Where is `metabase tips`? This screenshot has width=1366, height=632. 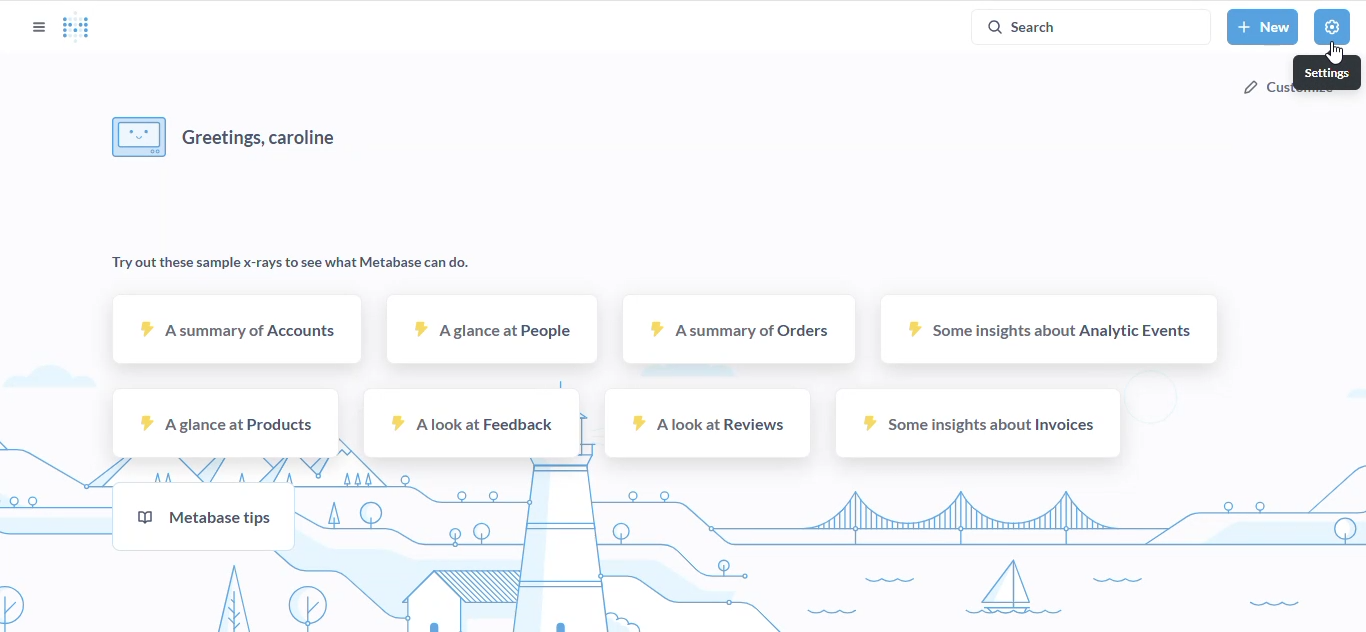 metabase tips is located at coordinates (203, 516).